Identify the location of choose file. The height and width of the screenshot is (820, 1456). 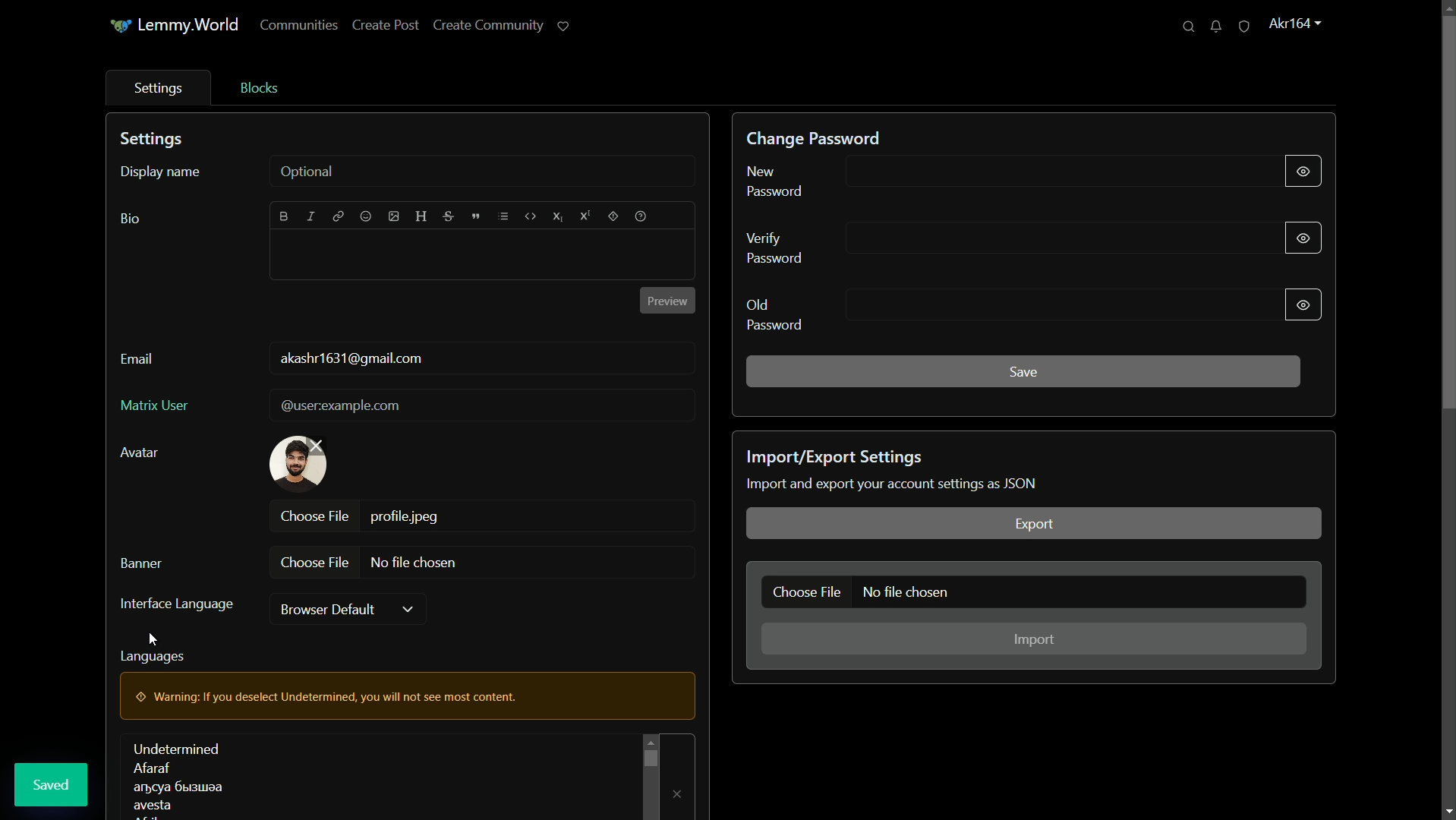
(315, 515).